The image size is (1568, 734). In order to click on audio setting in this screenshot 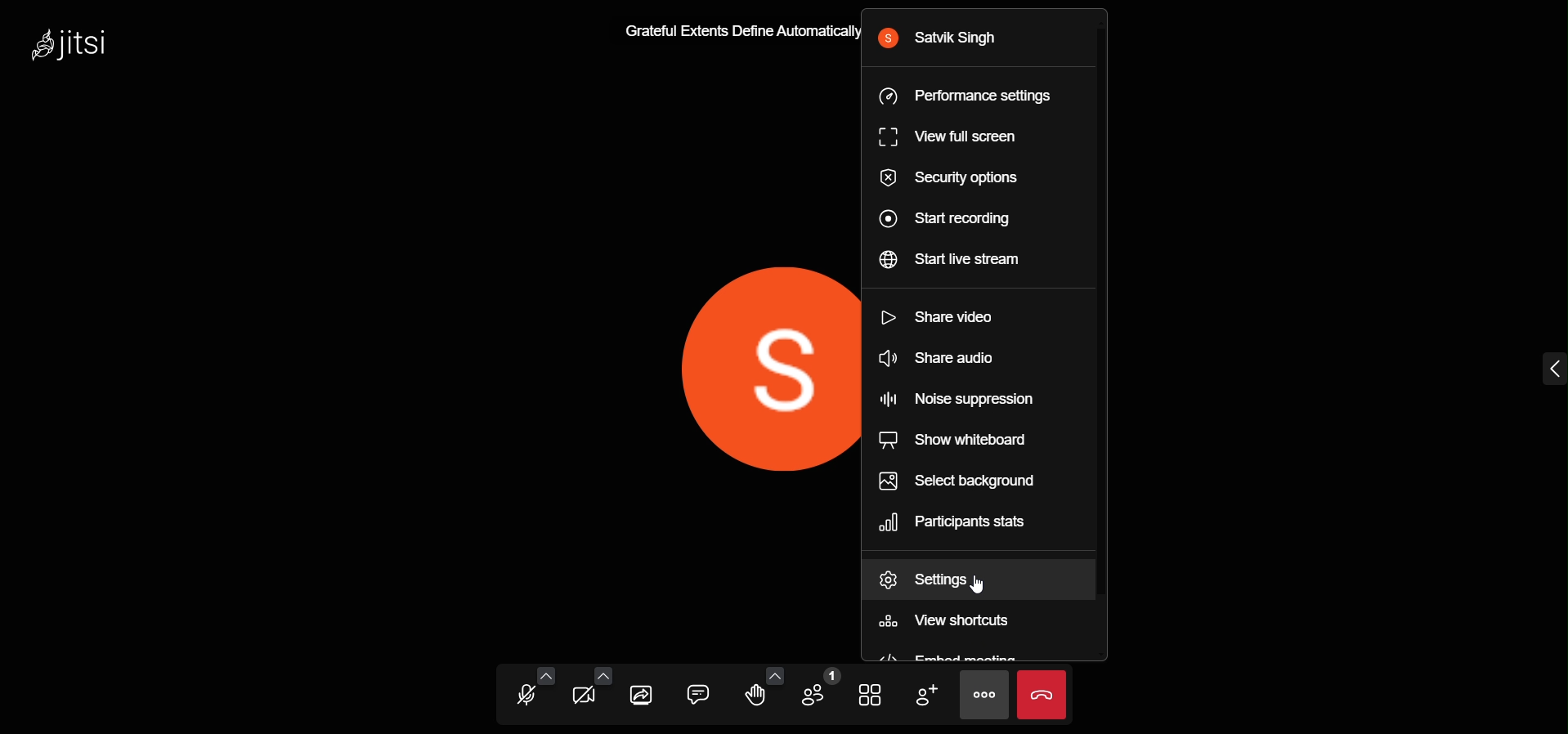, I will do `click(547, 674)`.